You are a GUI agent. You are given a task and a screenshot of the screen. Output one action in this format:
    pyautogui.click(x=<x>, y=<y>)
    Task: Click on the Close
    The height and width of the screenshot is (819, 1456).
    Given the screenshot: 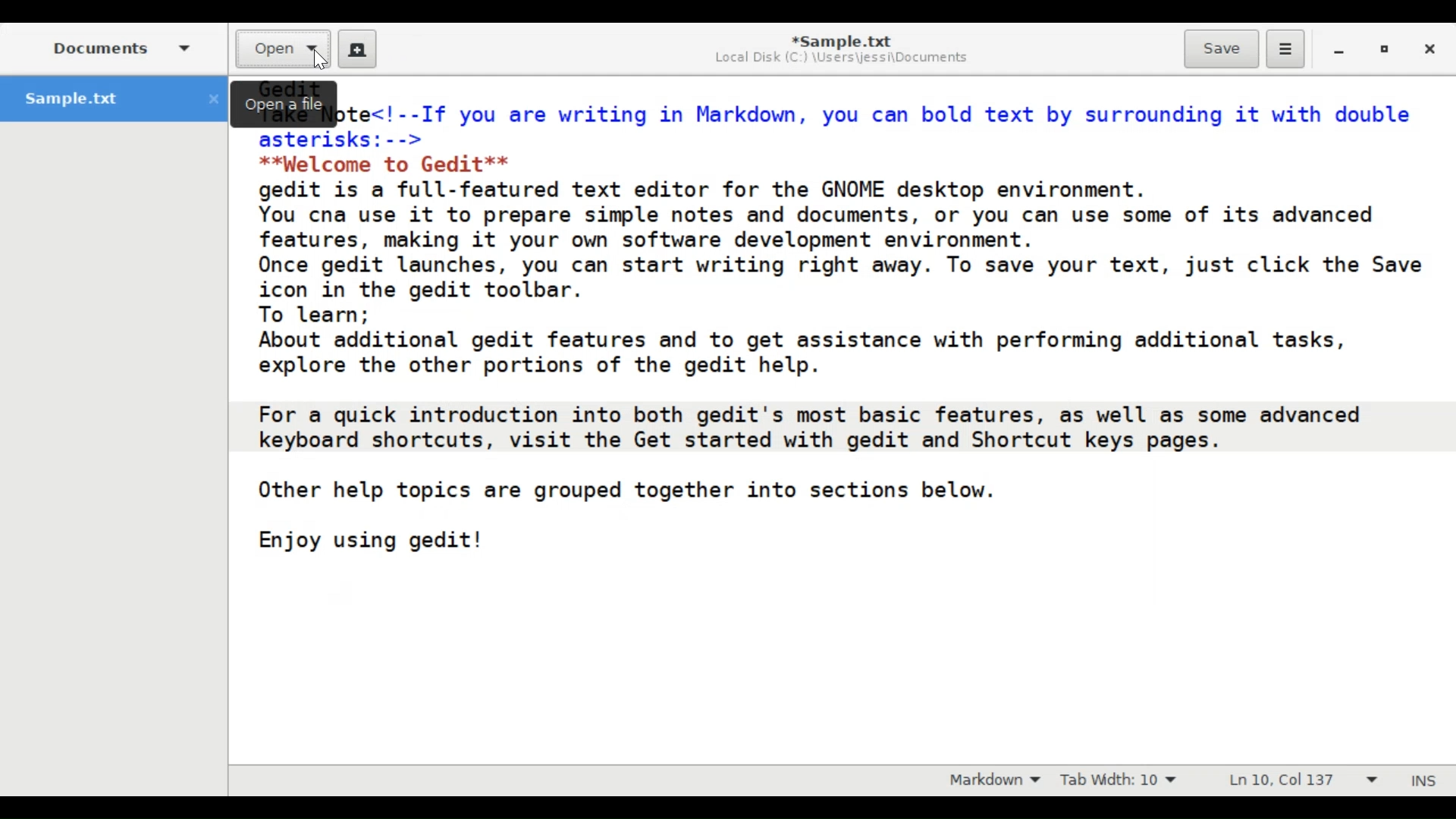 What is the action you would take?
    pyautogui.click(x=1428, y=48)
    